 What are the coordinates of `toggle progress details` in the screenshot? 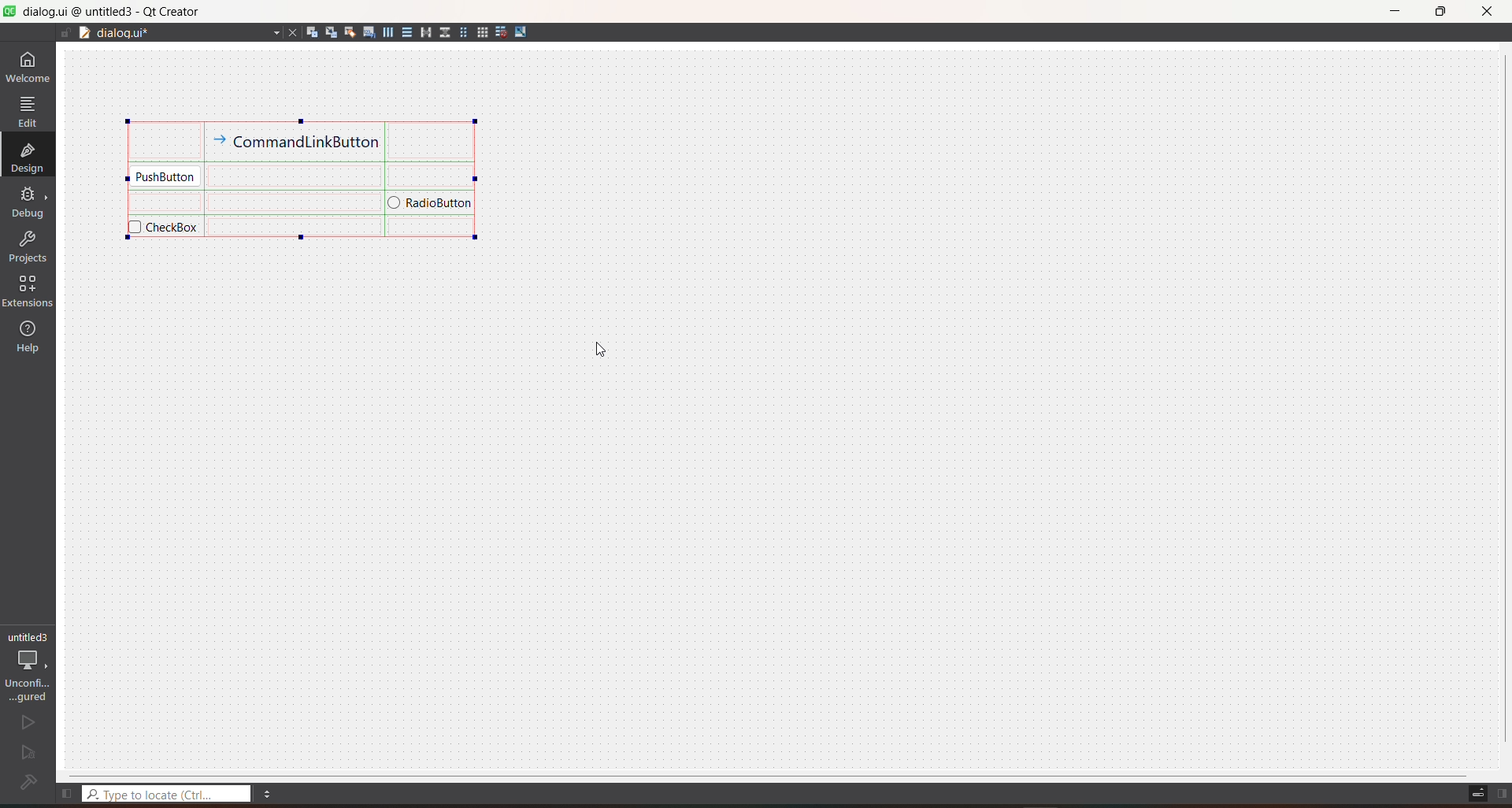 It's located at (1476, 794).